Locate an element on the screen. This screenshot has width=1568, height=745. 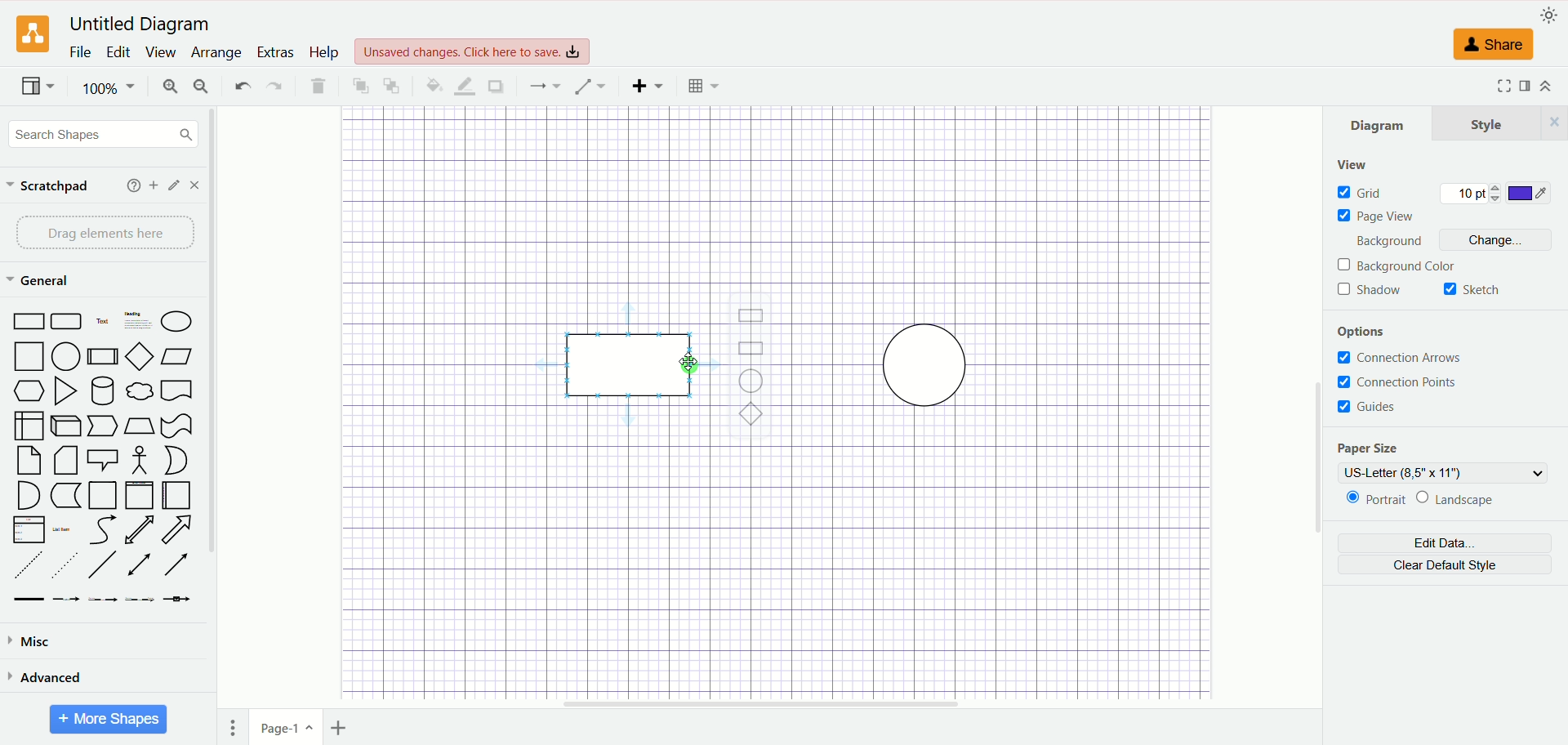
Sparsely Dotted Line is located at coordinates (65, 564).